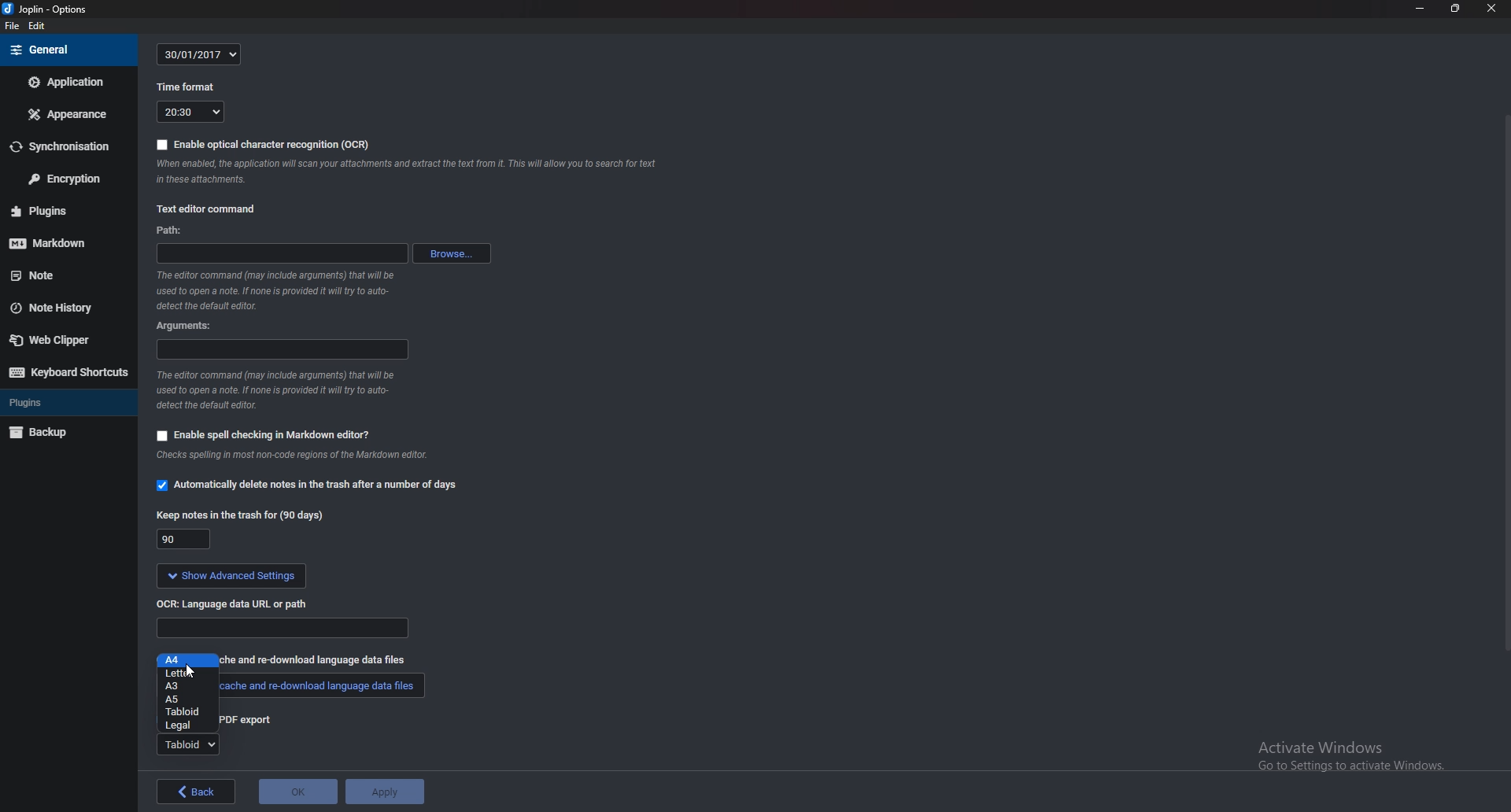 The width and height of the screenshot is (1511, 812). Describe the element at coordinates (386, 791) in the screenshot. I see `Apply` at that location.